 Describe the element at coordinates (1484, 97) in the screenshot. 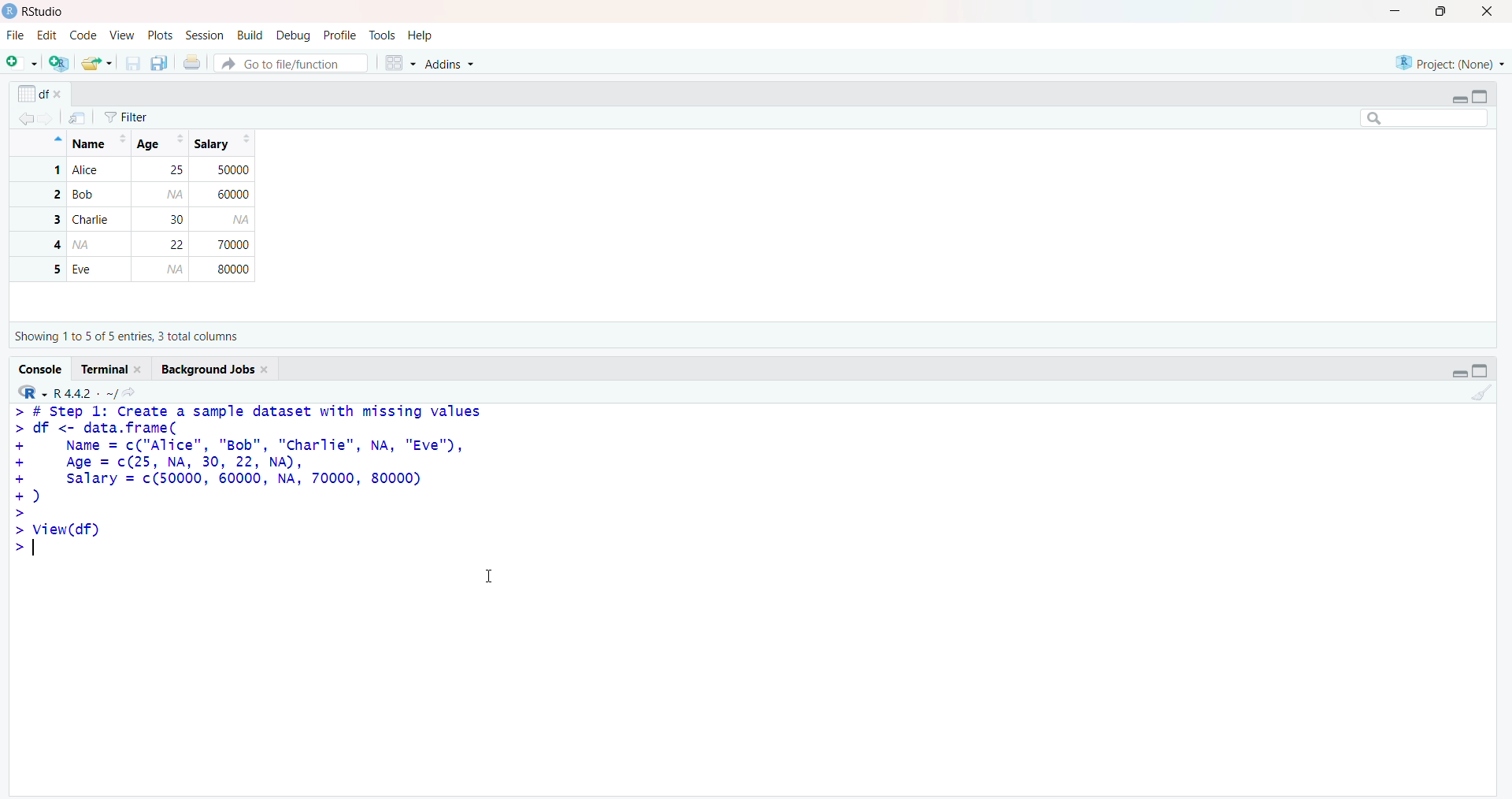

I see `Maximize` at that location.